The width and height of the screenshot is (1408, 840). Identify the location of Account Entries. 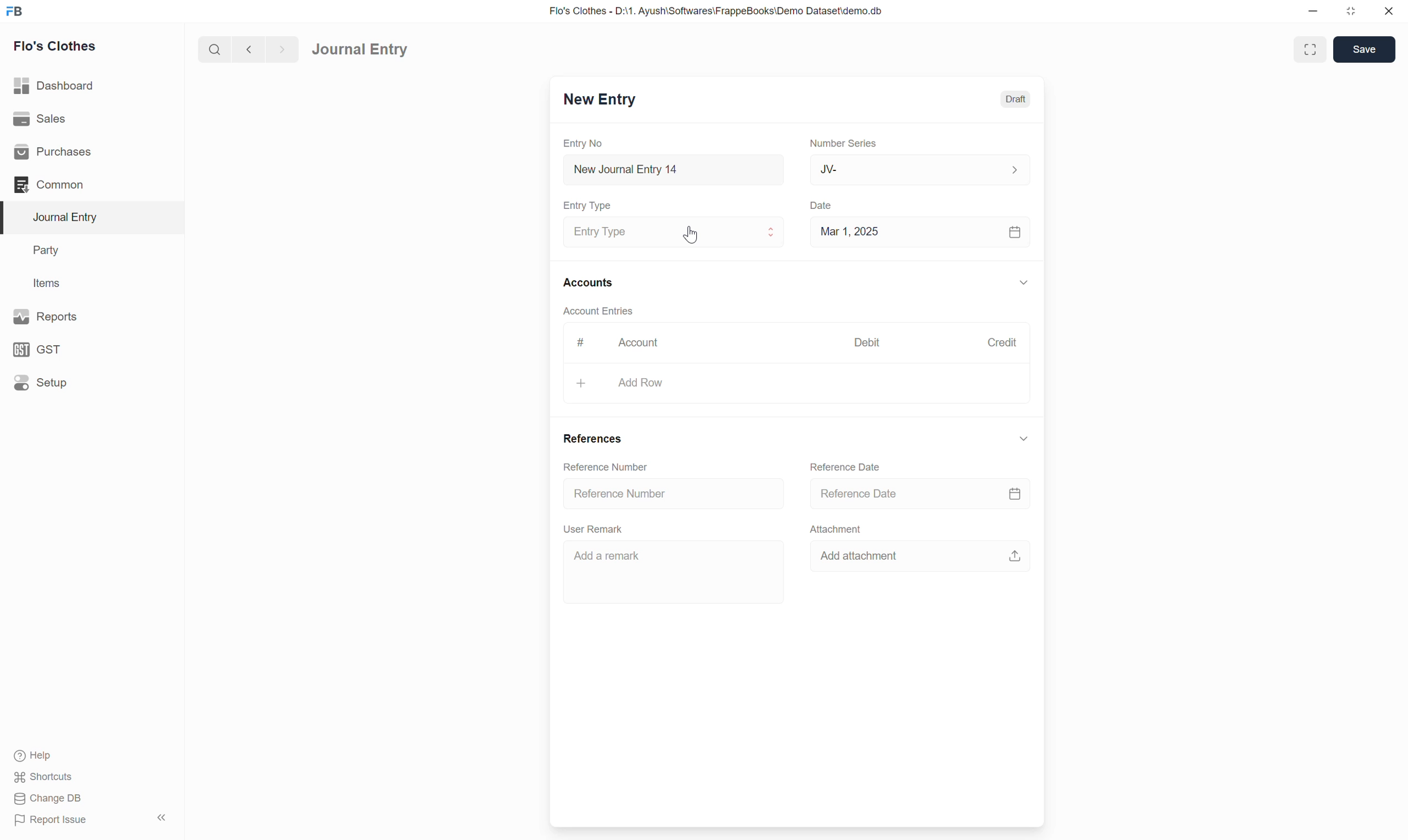
(604, 312).